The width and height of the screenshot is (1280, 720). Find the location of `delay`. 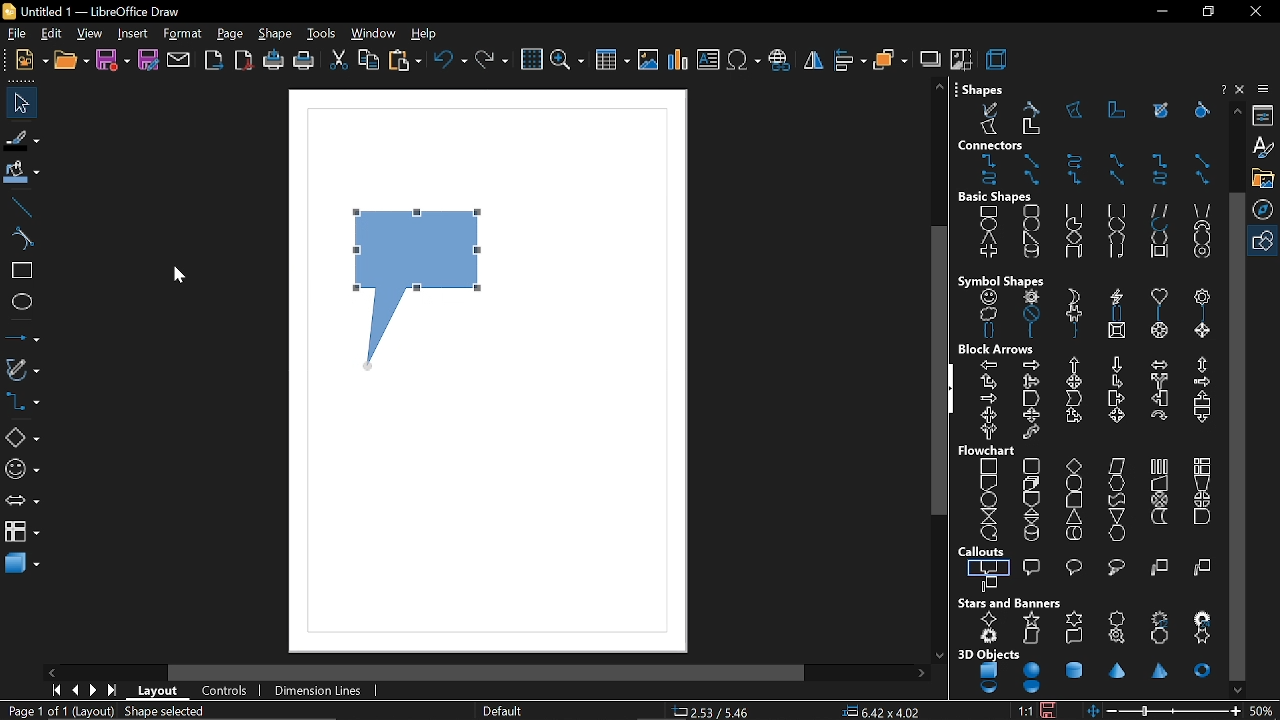

delay is located at coordinates (1201, 517).